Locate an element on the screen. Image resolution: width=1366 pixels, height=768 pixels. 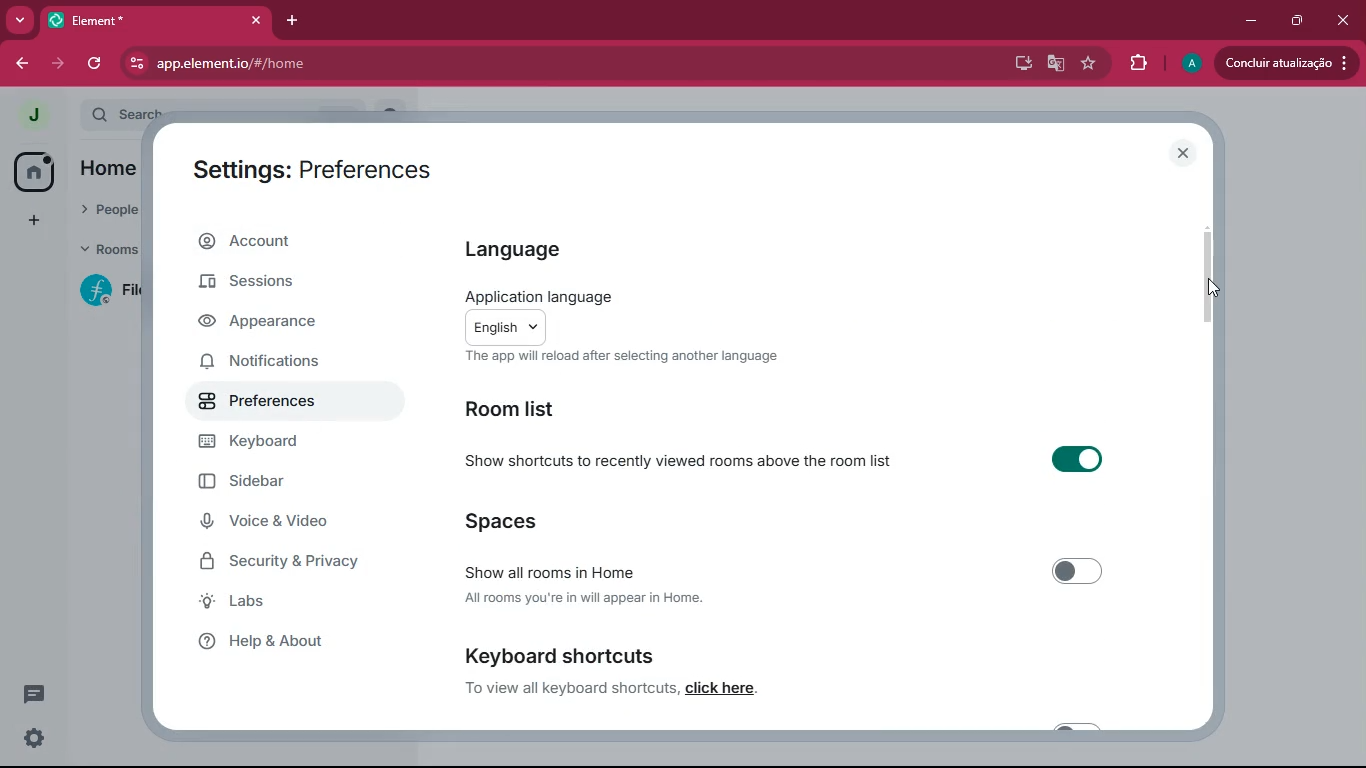
keyboard is located at coordinates (276, 445).